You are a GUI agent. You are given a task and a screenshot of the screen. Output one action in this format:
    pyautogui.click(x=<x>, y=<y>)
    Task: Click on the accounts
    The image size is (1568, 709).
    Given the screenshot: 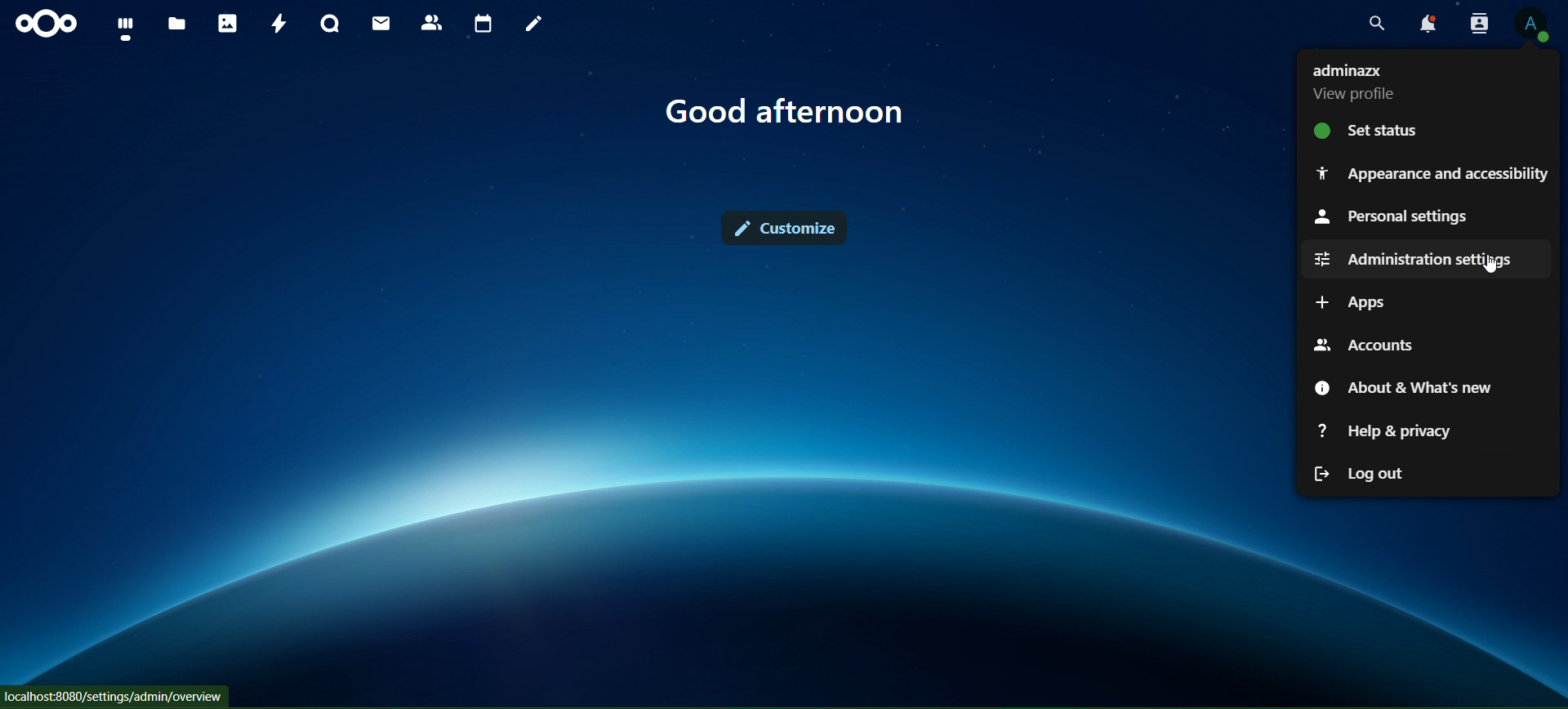 What is the action you would take?
    pyautogui.click(x=1386, y=343)
    